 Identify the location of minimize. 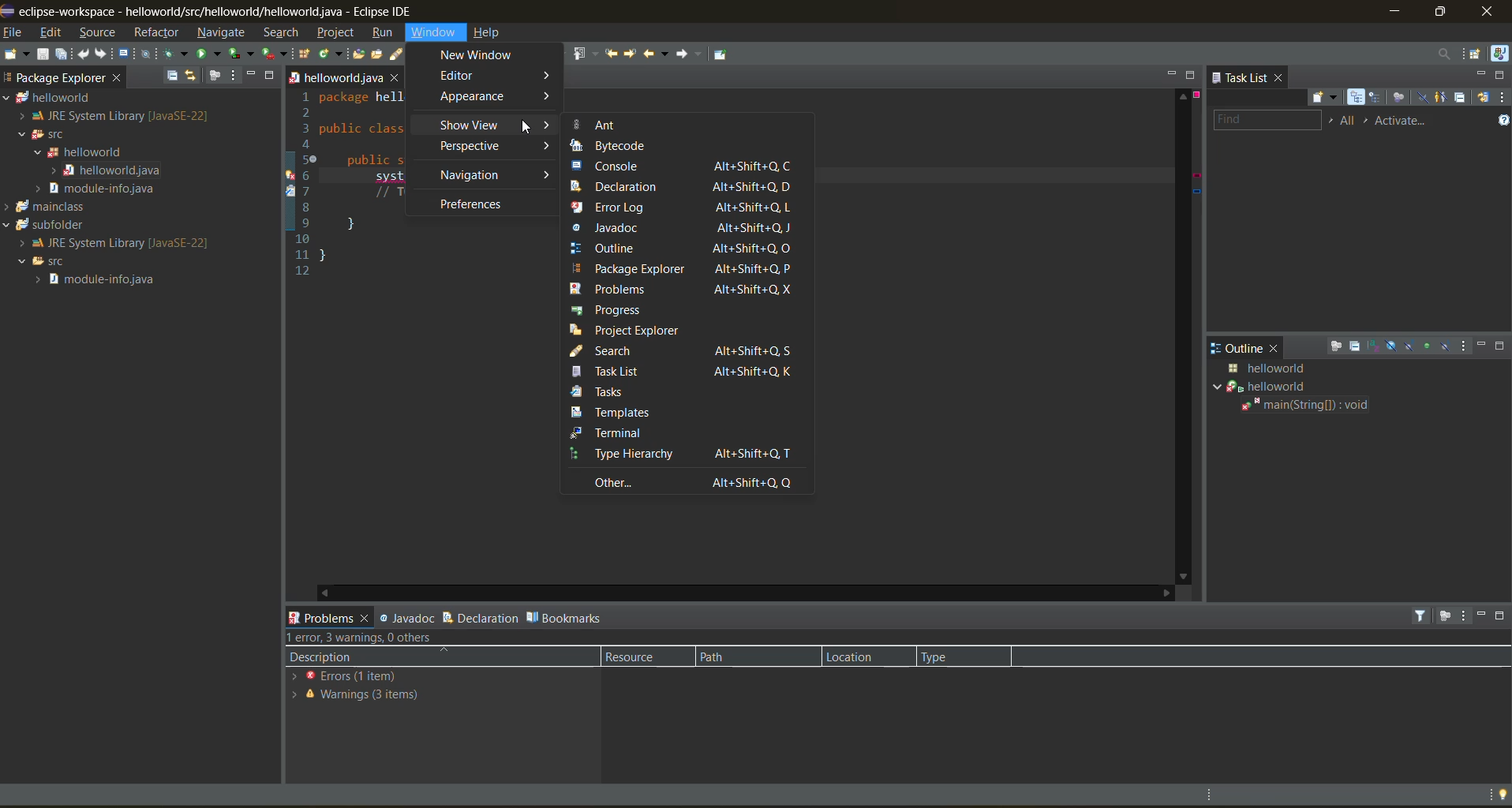
(251, 75).